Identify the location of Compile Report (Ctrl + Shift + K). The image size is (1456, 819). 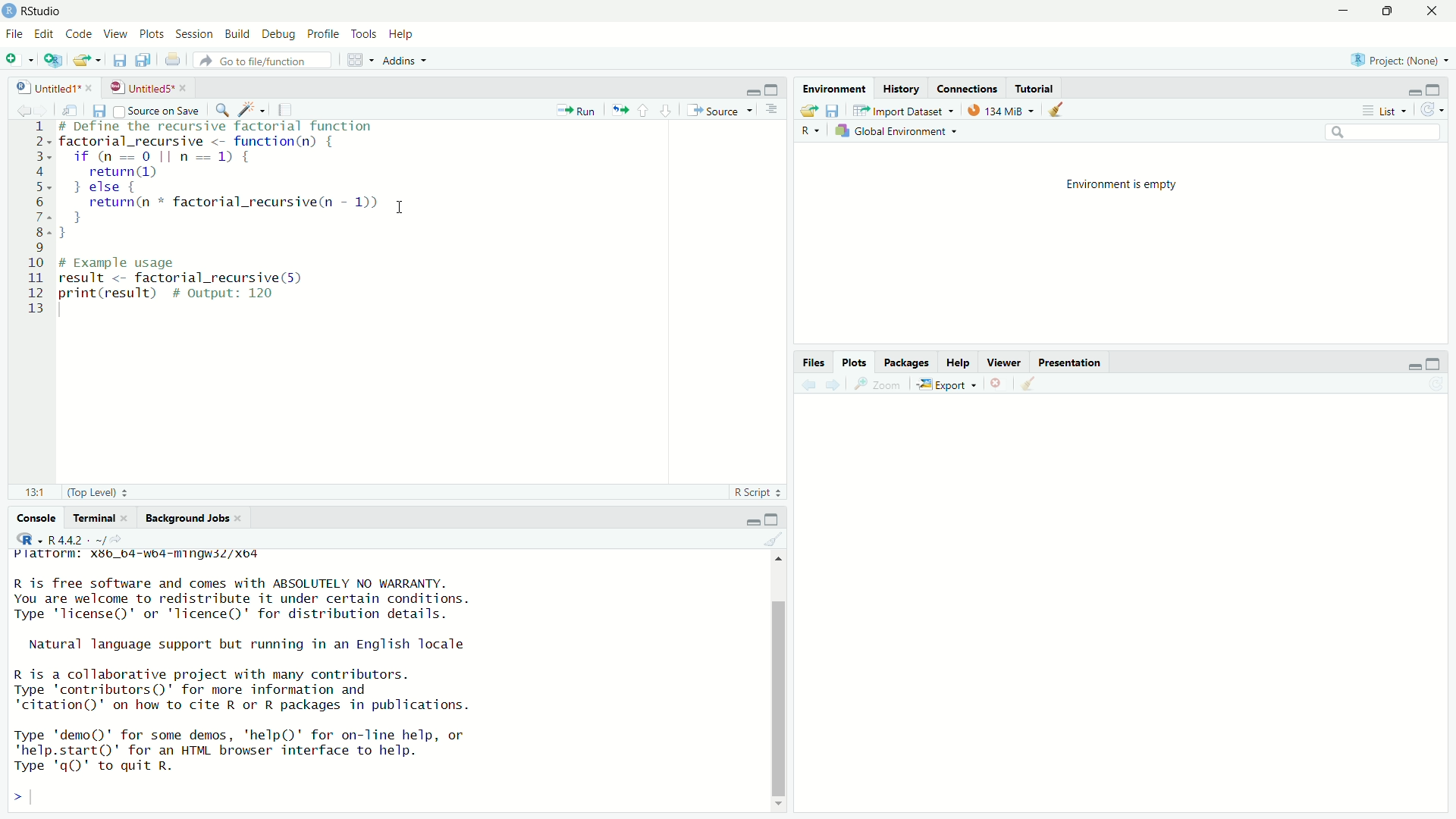
(288, 108).